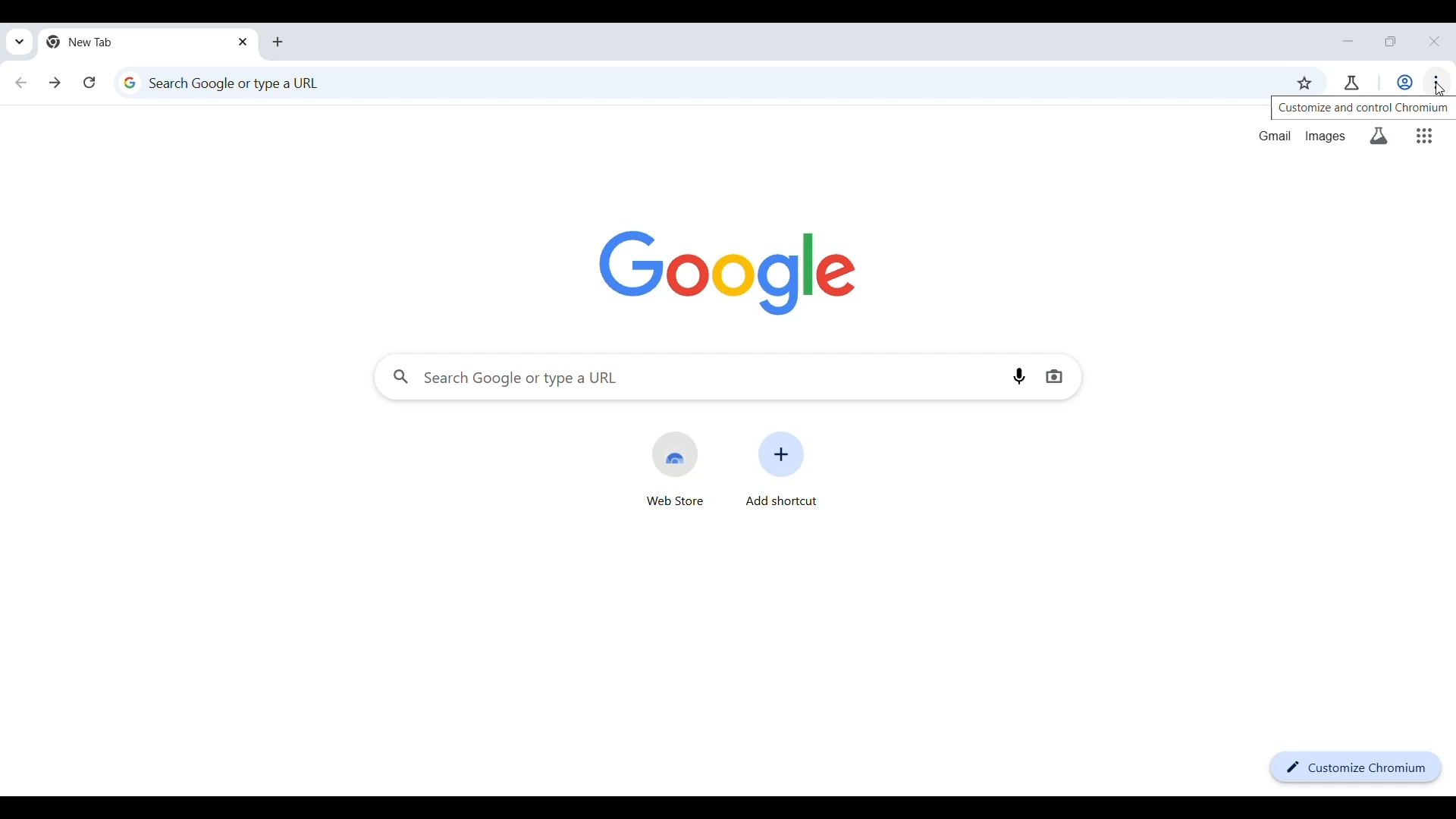  What do you see at coordinates (1351, 83) in the screenshot?
I see `Chrome labs` at bounding box center [1351, 83].